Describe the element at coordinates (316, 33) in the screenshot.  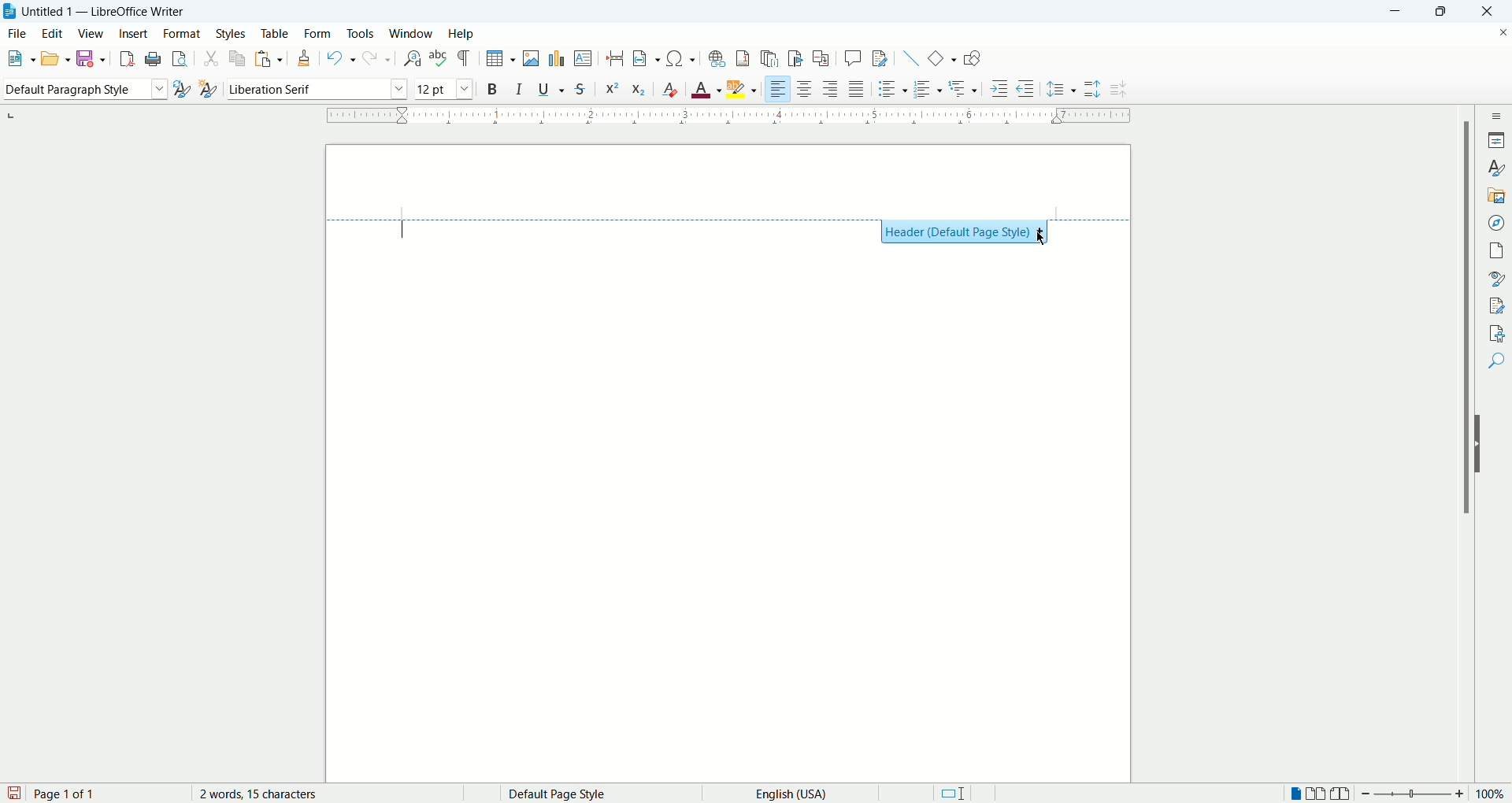
I see `form` at that location.